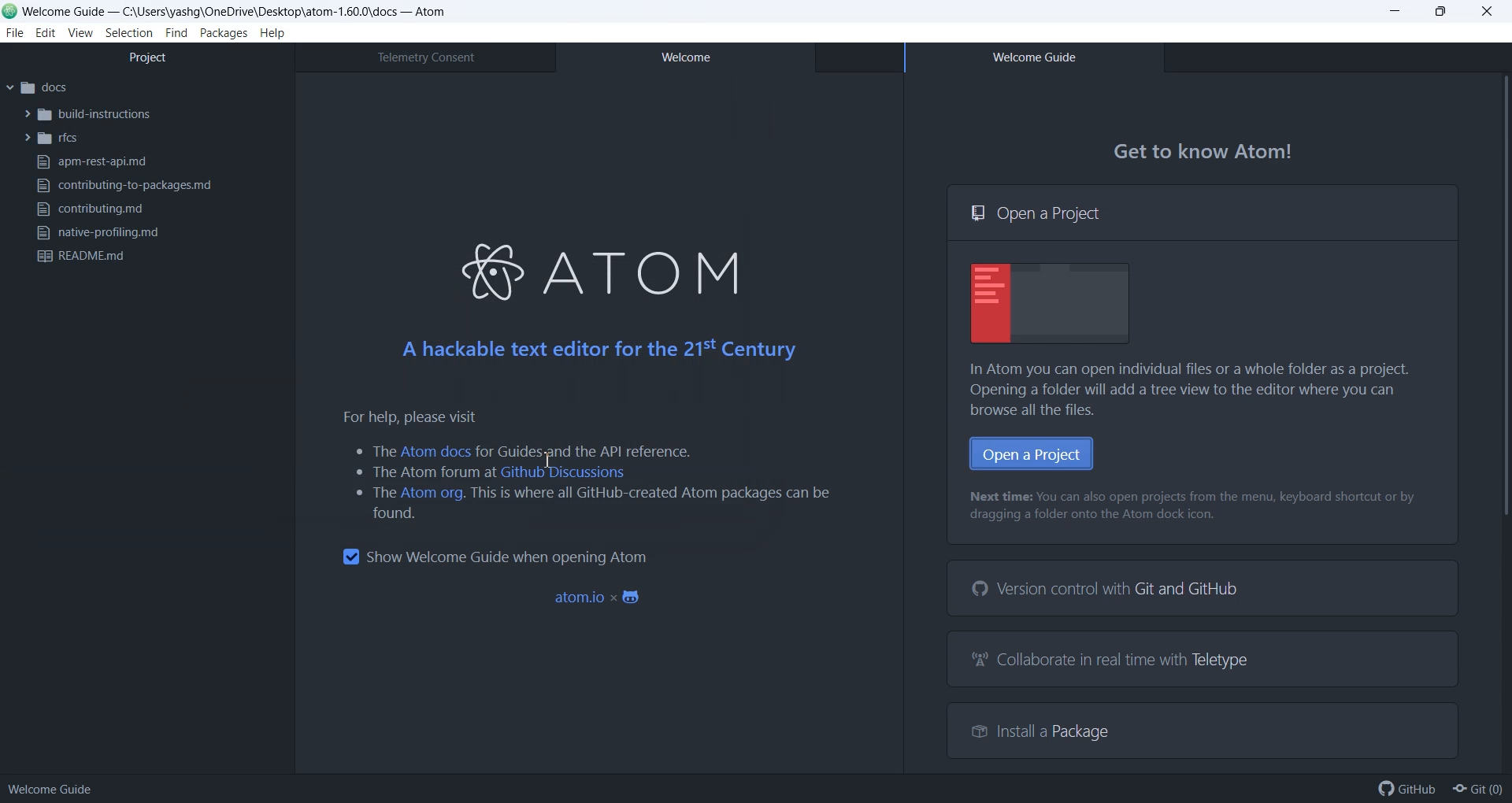 This screenshot has width=1512, height=803. I want to click on Project, so click(146, 57).